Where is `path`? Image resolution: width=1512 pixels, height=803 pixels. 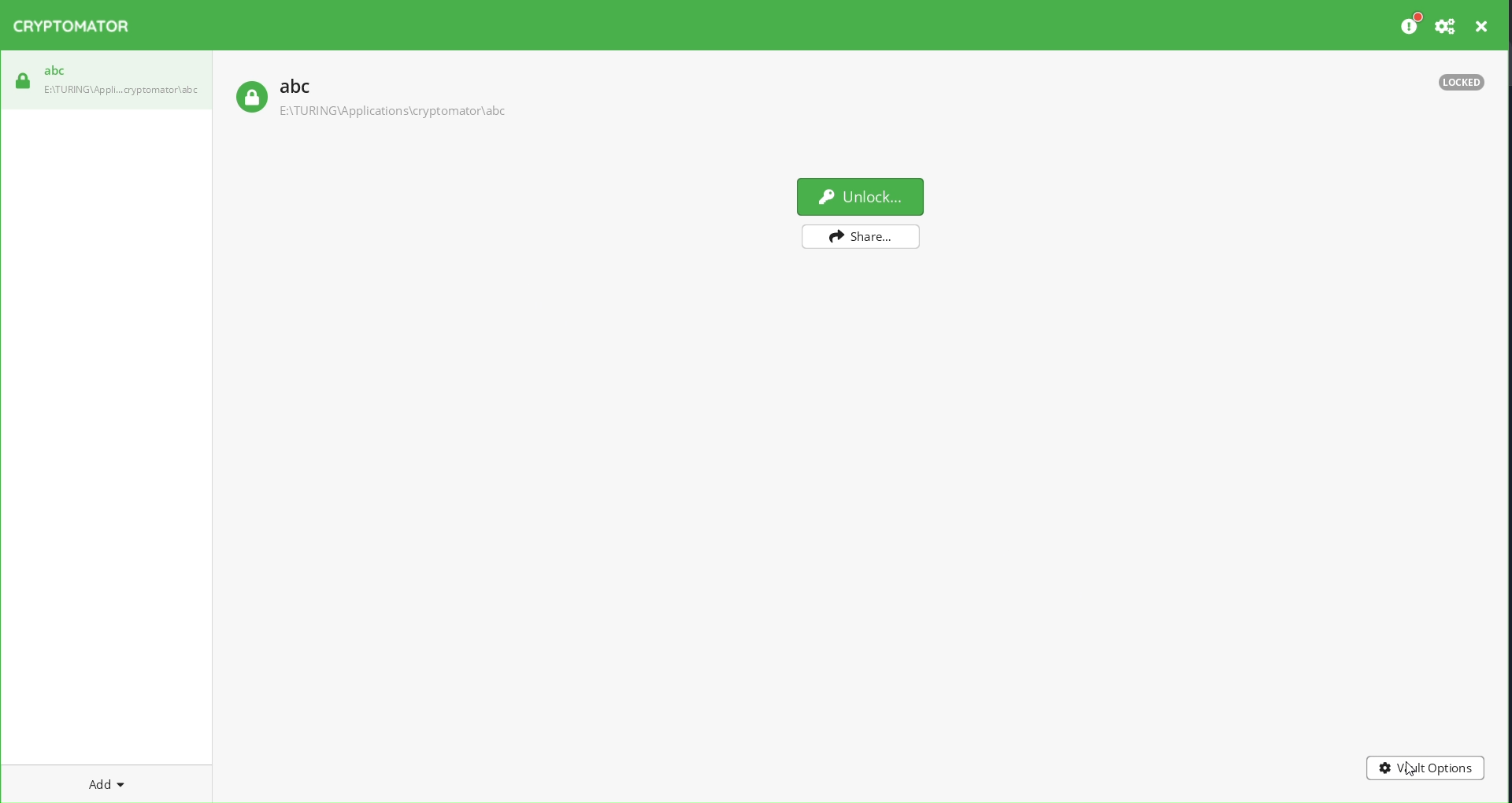
path is located at coordinates (391, 112).